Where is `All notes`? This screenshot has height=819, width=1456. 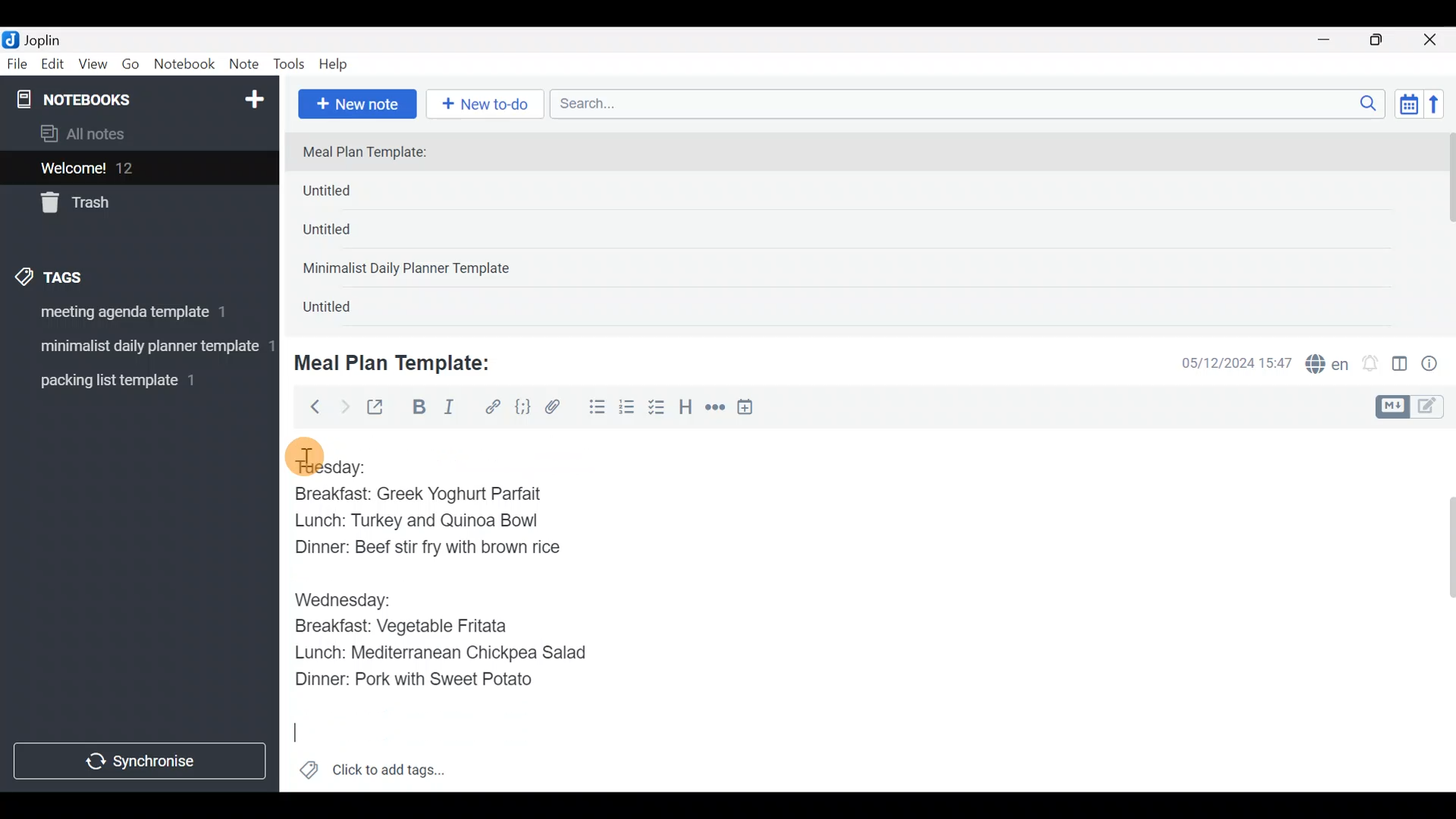
All notes is located at coordinates (136, 135).